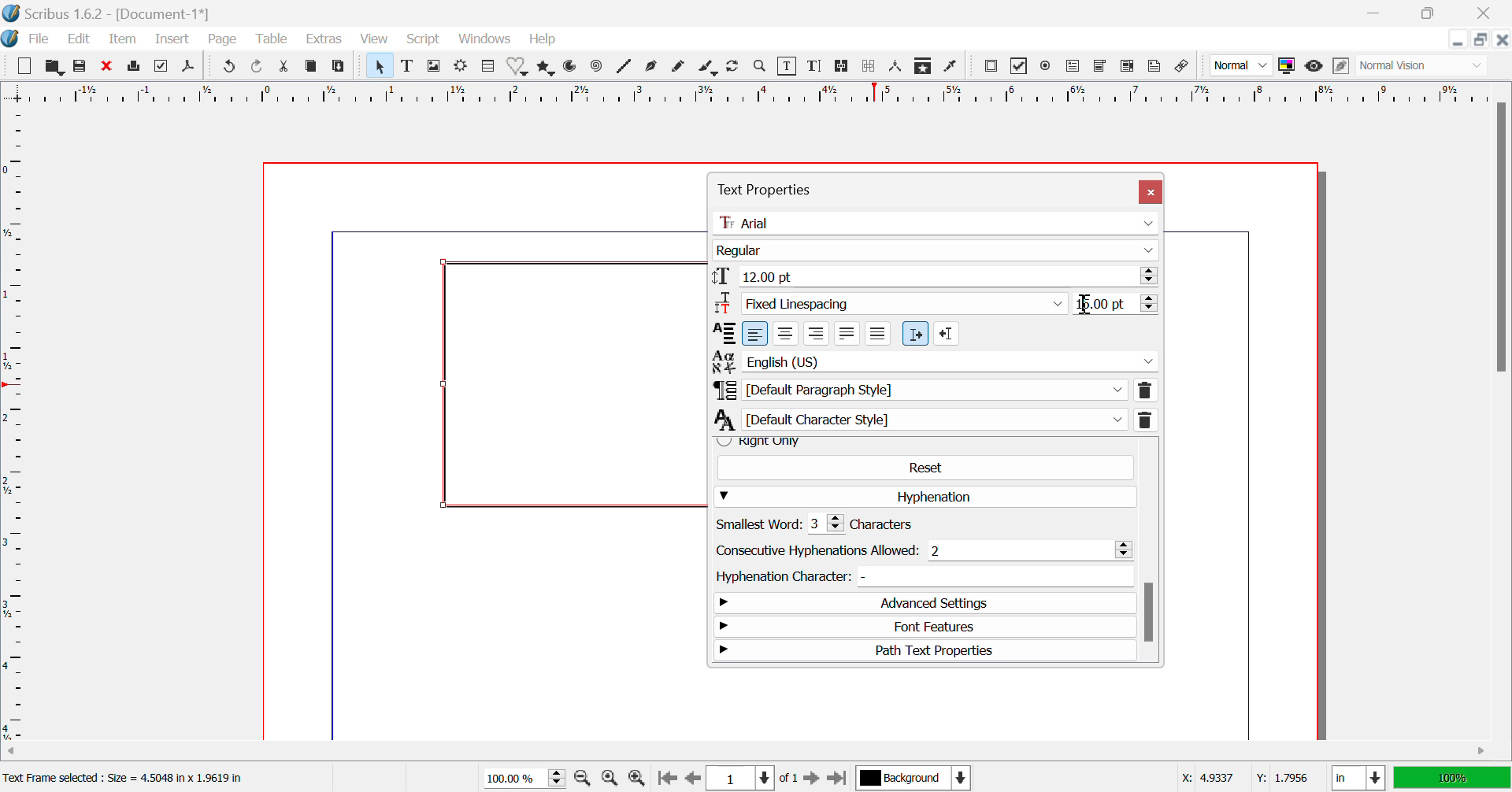  I want to click on Undo, so click(228, 68).